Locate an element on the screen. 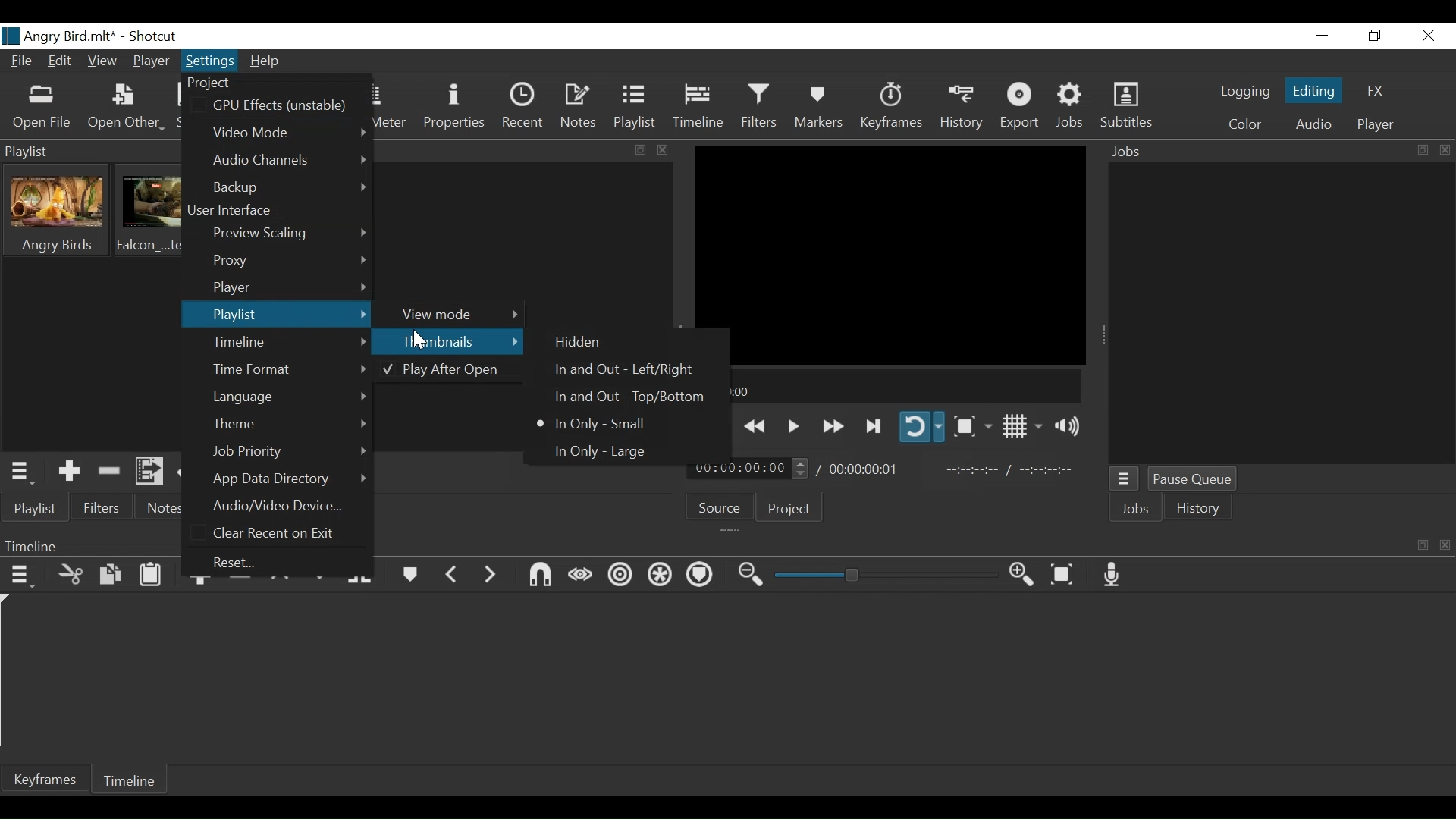  Ripple all tracks is located at coordinates (661, 575).